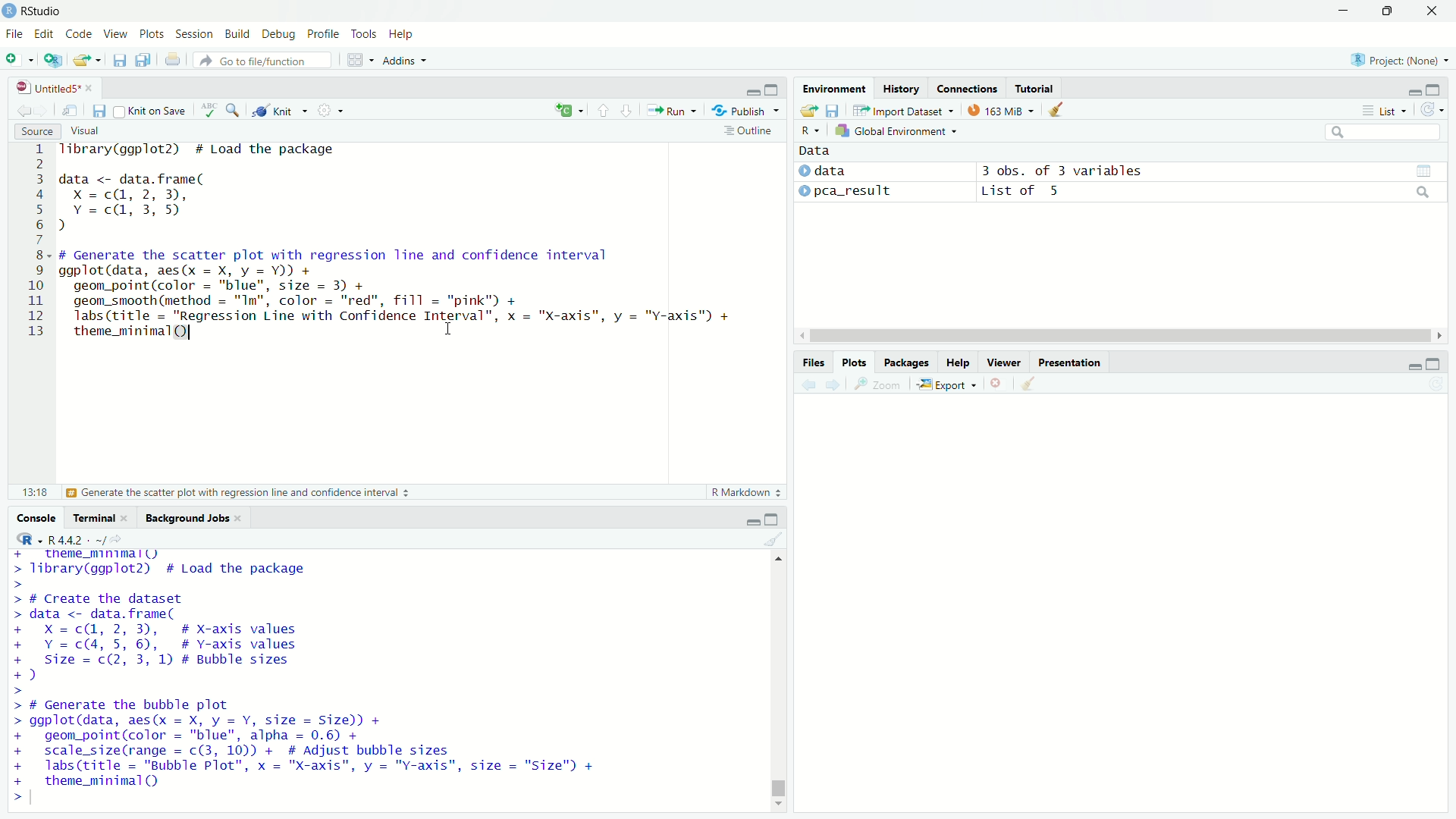  Describe the element at coordinates (833, 384) in the screenshot. I see `Next plot` at that location.